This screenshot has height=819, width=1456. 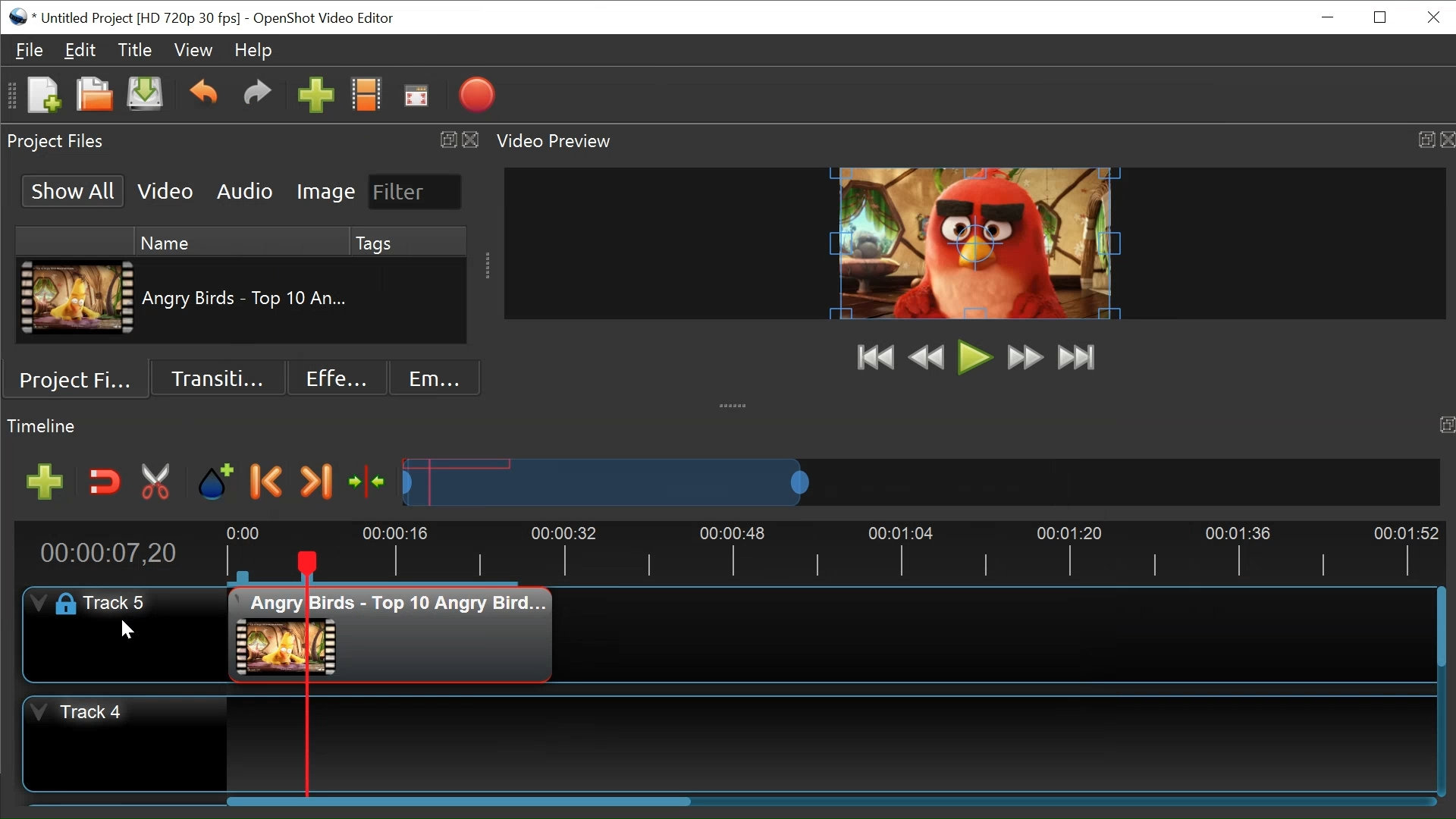 I want to click on Marker, so click(x=216, y=479).